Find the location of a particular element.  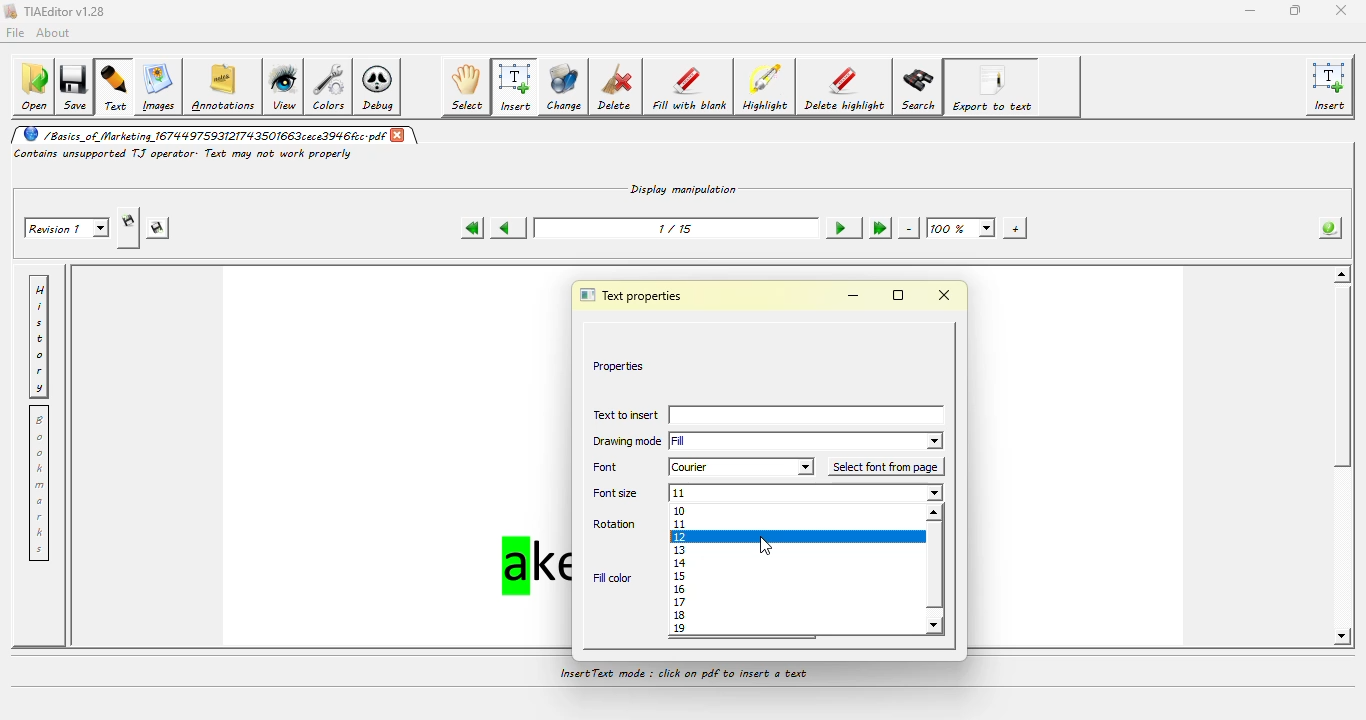

Select font from page is located at coordinates (886, 467).